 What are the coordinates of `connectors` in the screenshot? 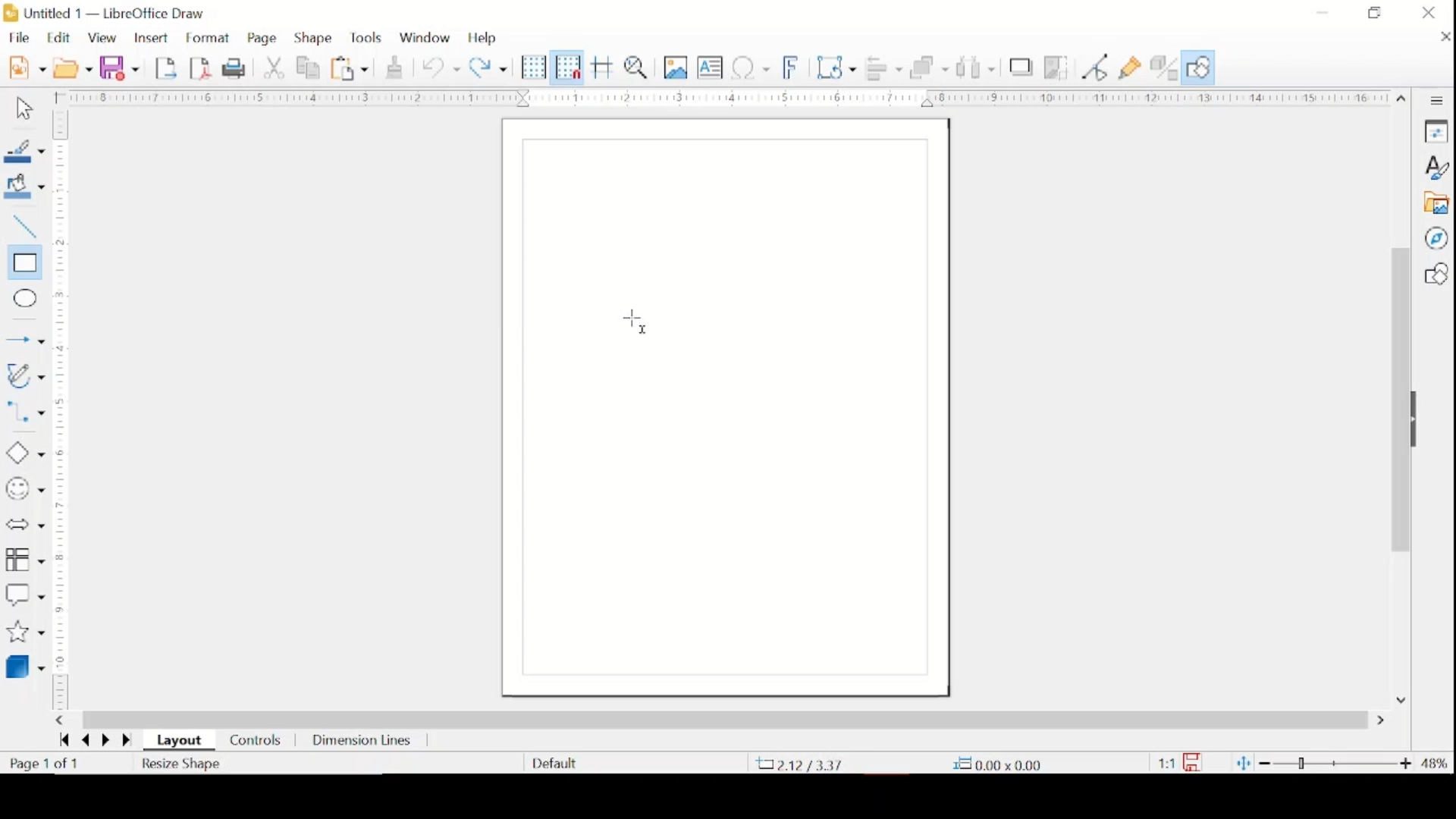 It's located at (25, 415).